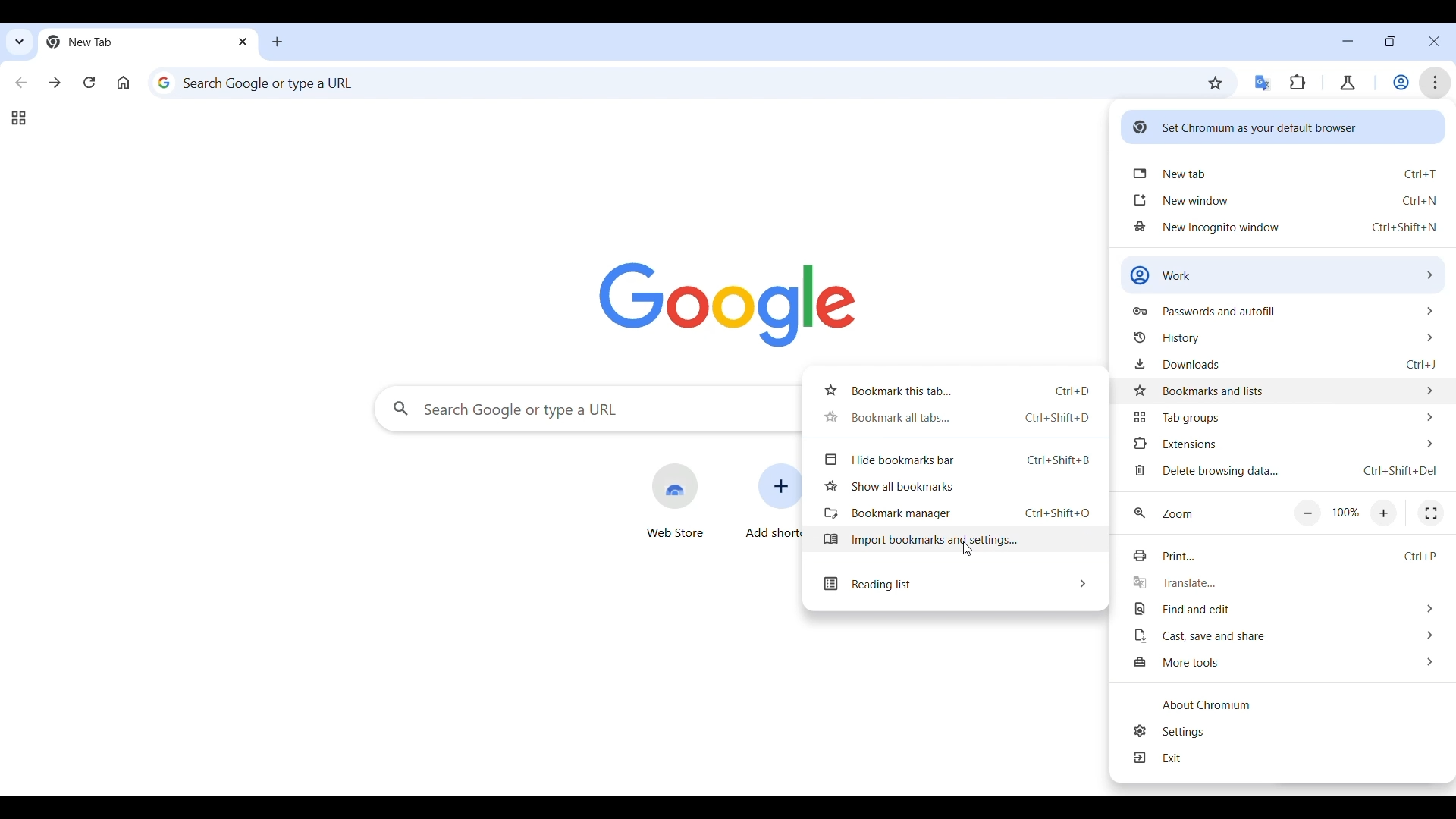  What do you see at coordinates (1307, 514) in the screenshot?
I see `Zoom out` at bounding box center [1307, 514].